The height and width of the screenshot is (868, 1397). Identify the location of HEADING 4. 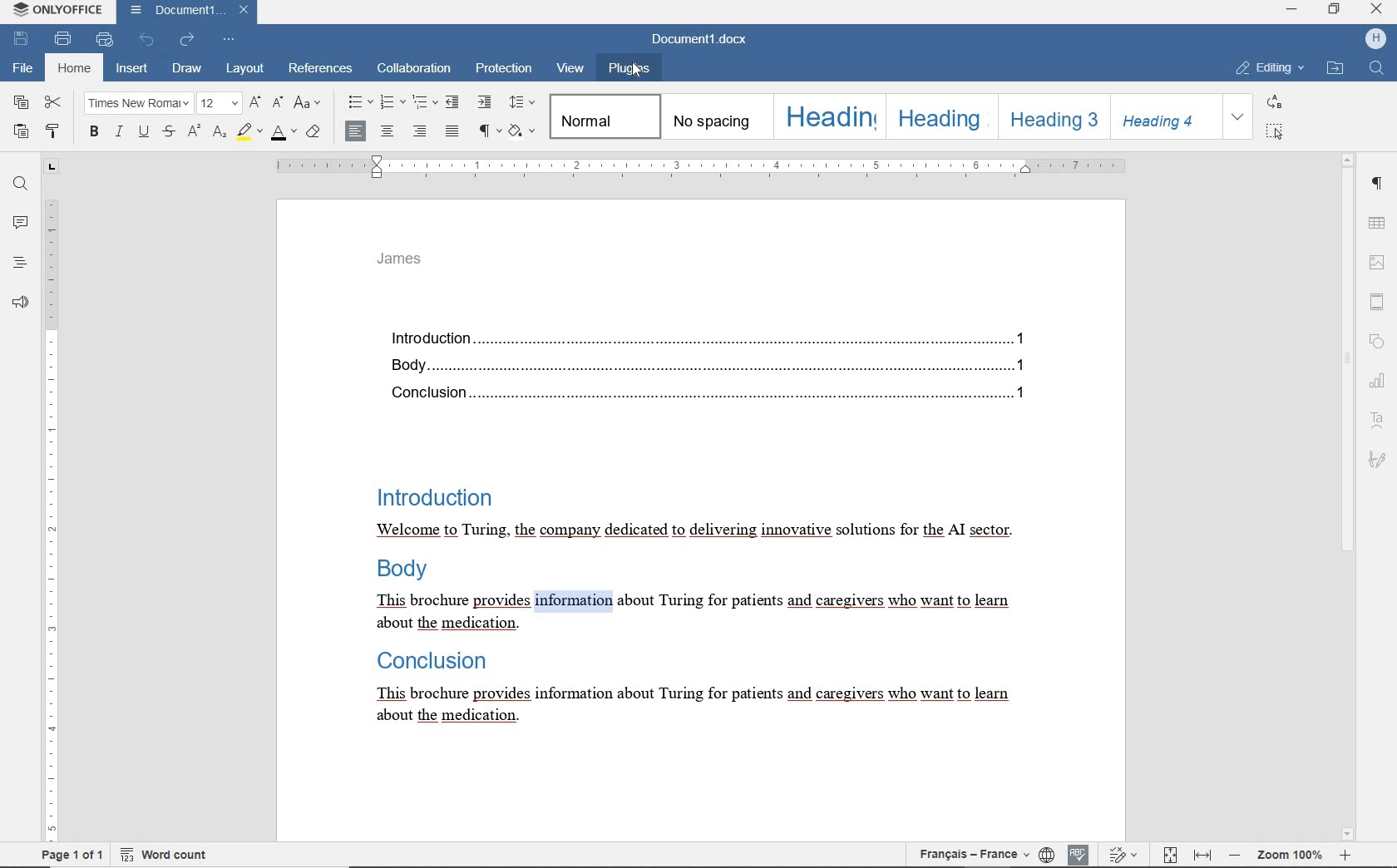
(1164, 116).